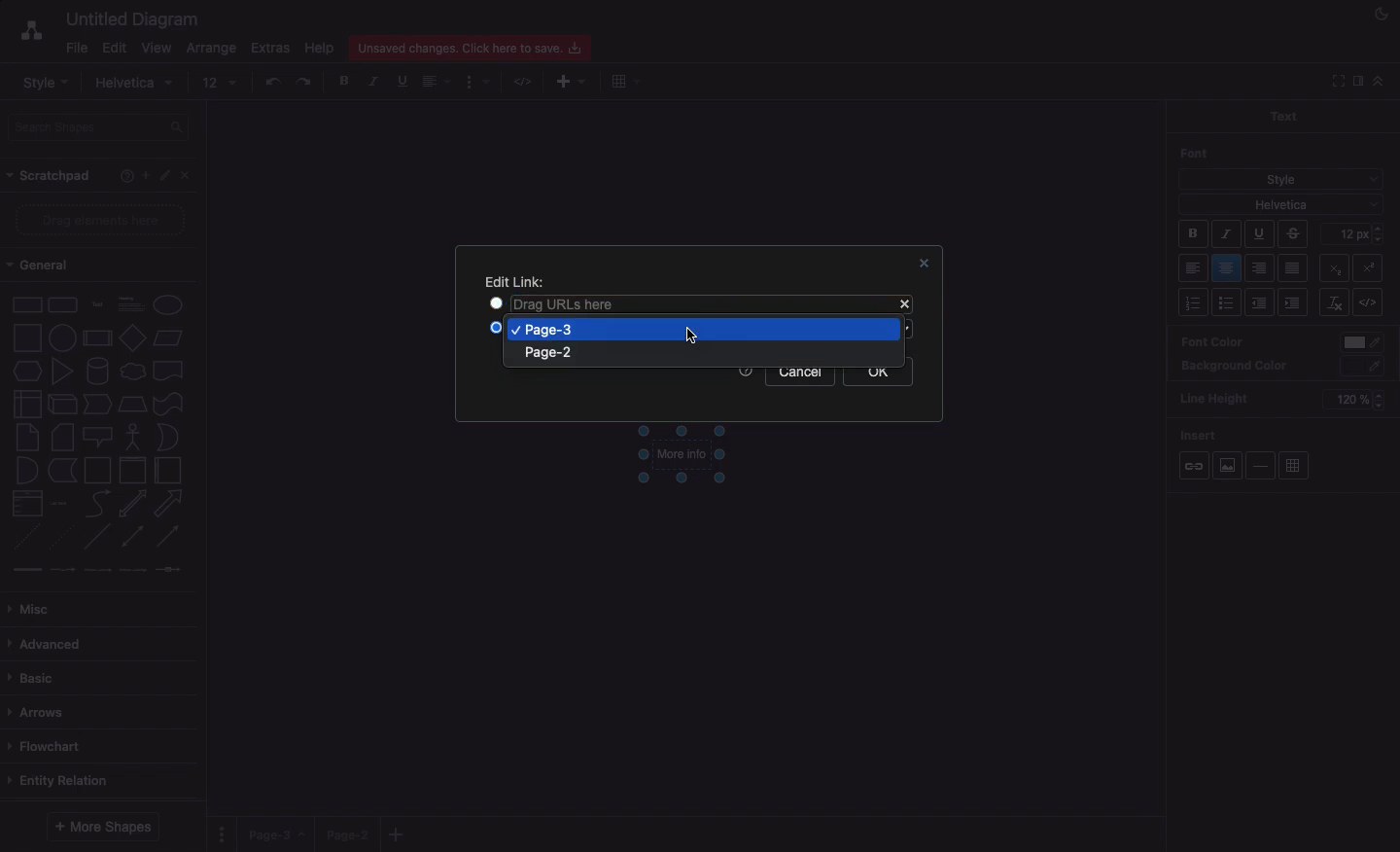 The image size is (1400, 852). What do you see at coordinates (27, 337) in the screenshot?
I see `square` at bounding box center [27, 337].